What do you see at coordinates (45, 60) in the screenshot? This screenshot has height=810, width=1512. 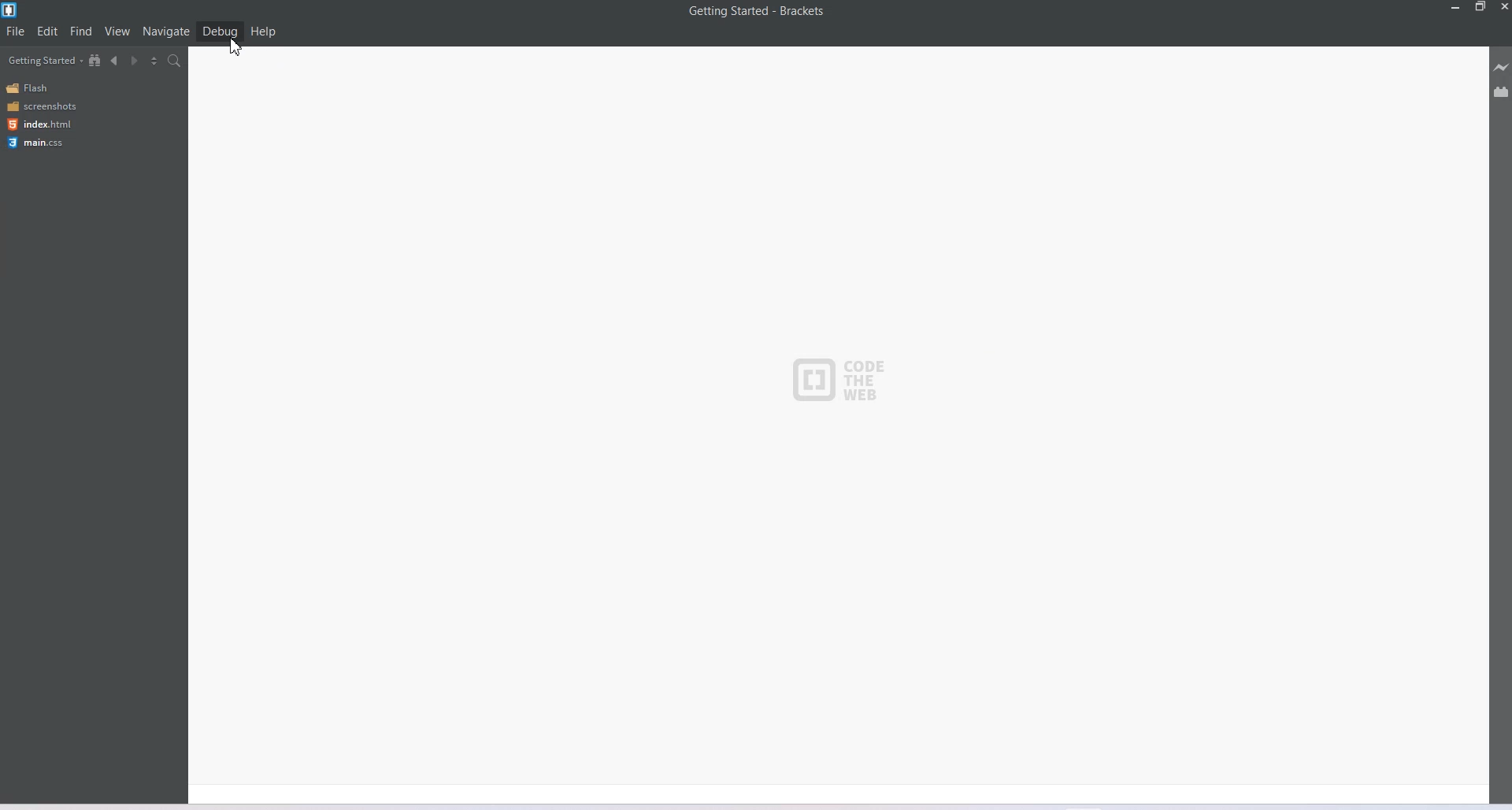 I see `Getting Started` at bounding box center [45, 60].